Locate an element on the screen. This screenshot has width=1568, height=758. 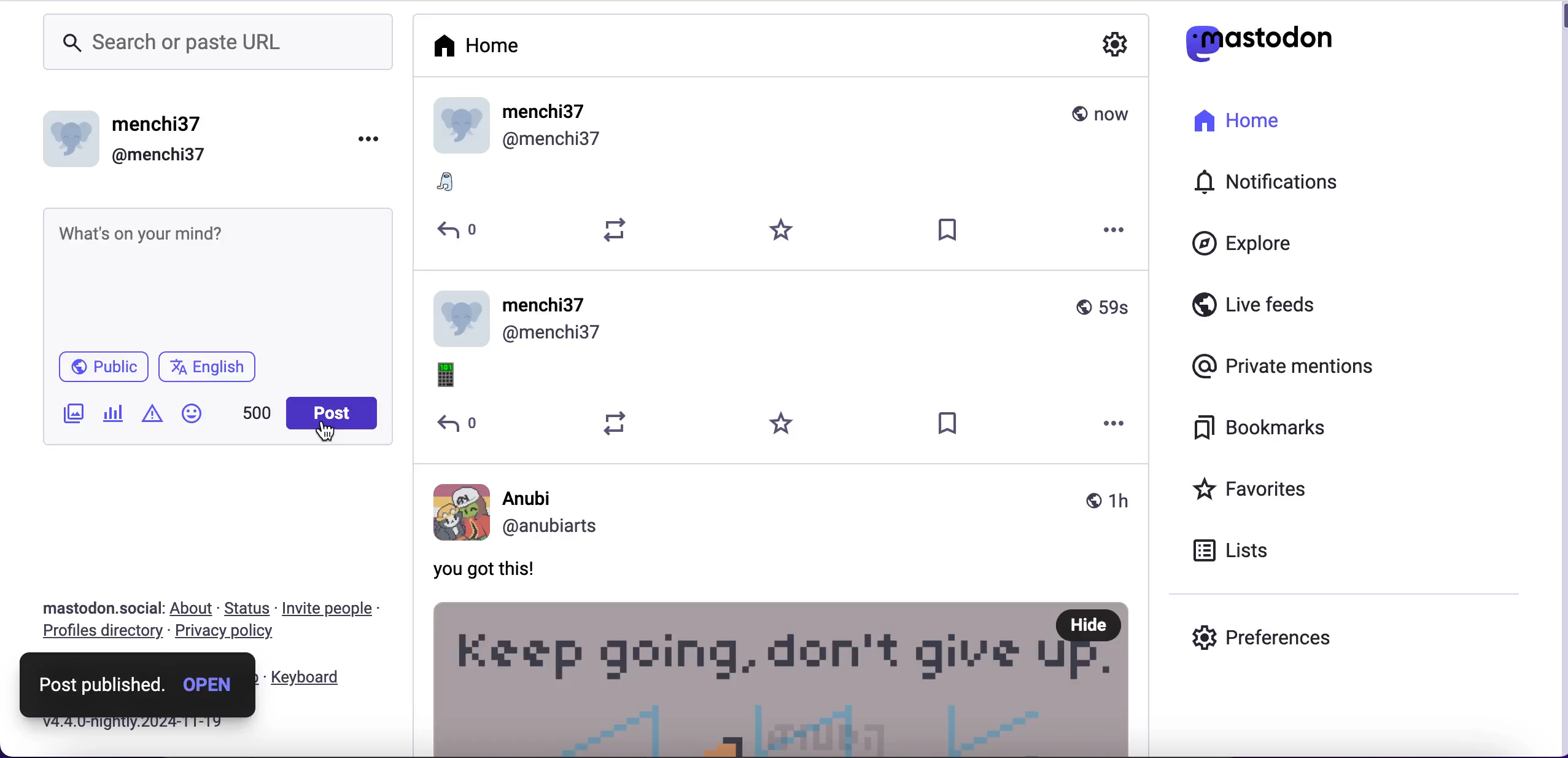
post is located at coordinates (330, 408).